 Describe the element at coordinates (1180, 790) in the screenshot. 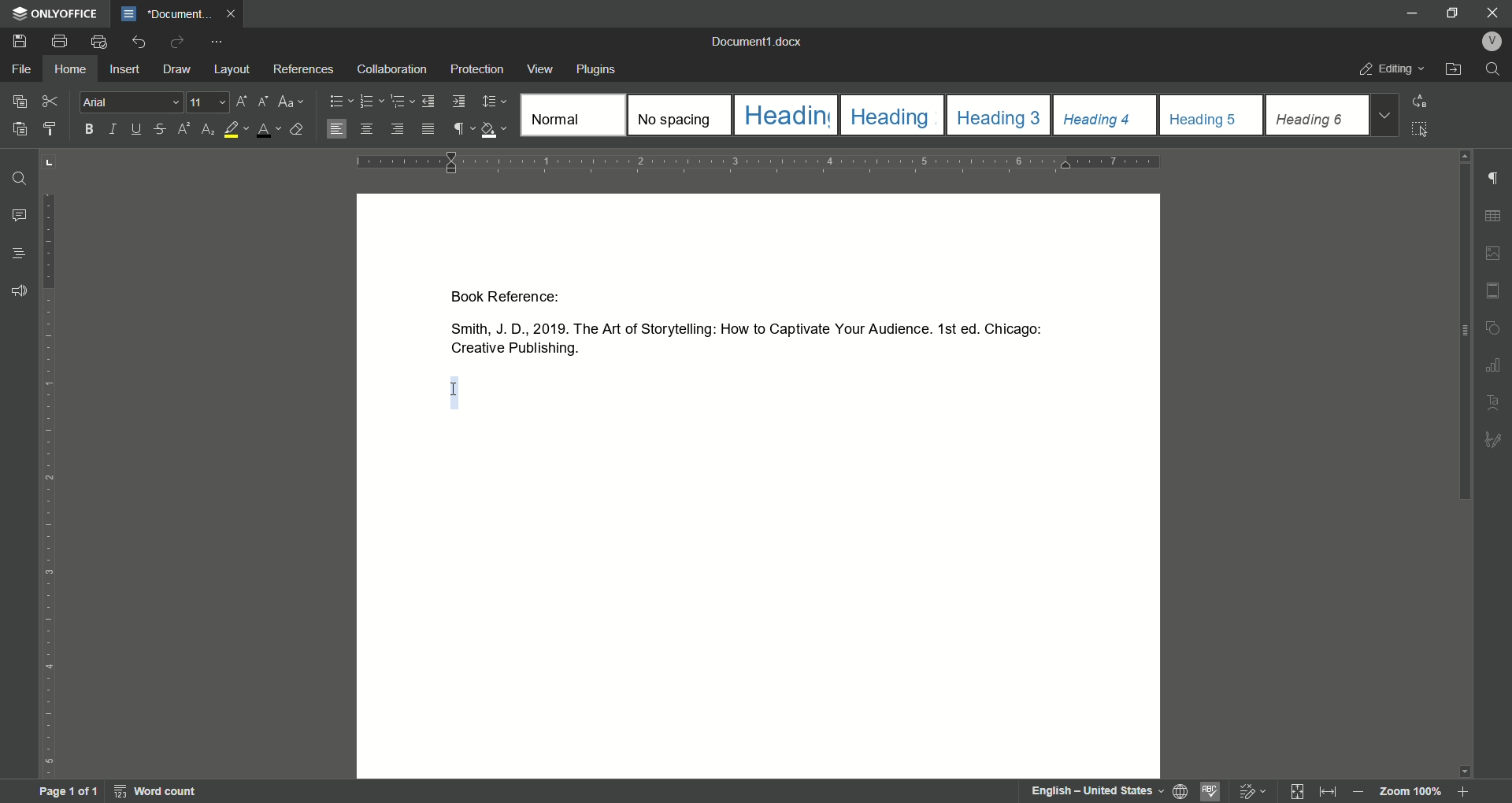

I see `set document language` at that location.